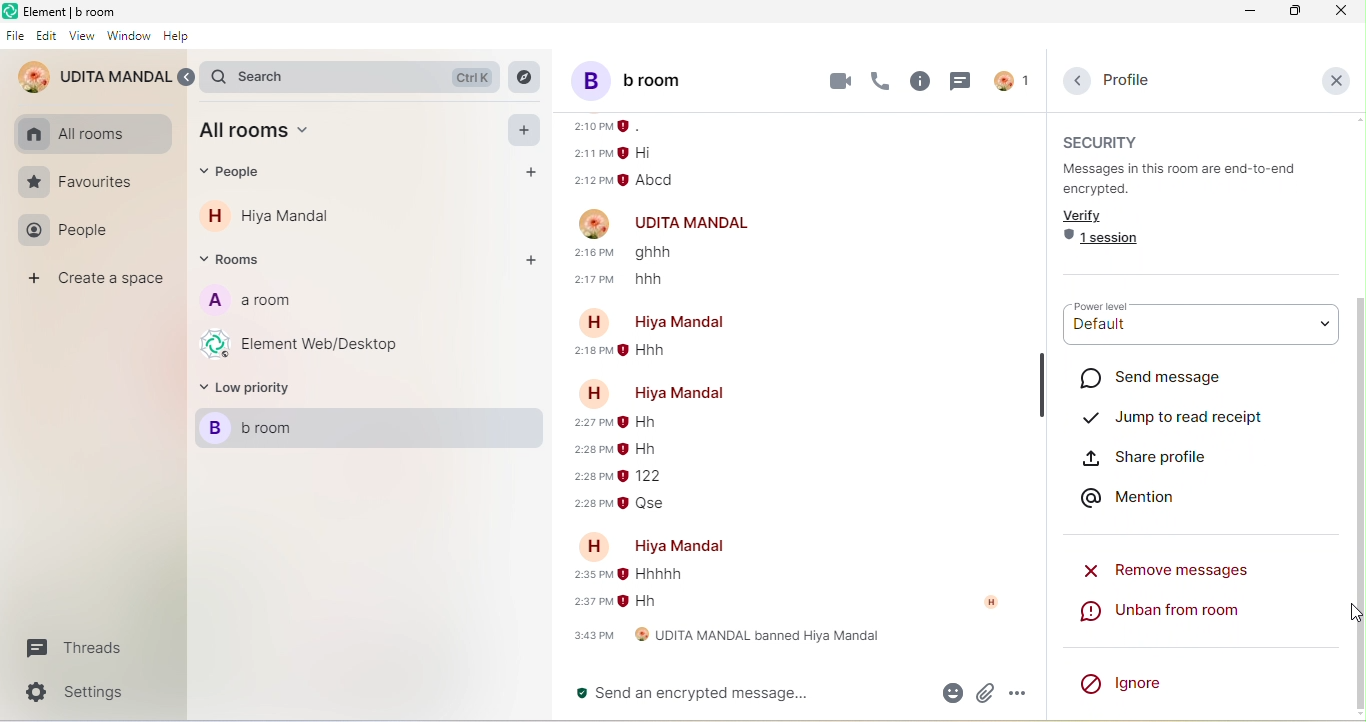  What do you see at coordinates (633, 591) in the screenshot?
I see `older message of hiya mandal` at bounding box center [633, 591].